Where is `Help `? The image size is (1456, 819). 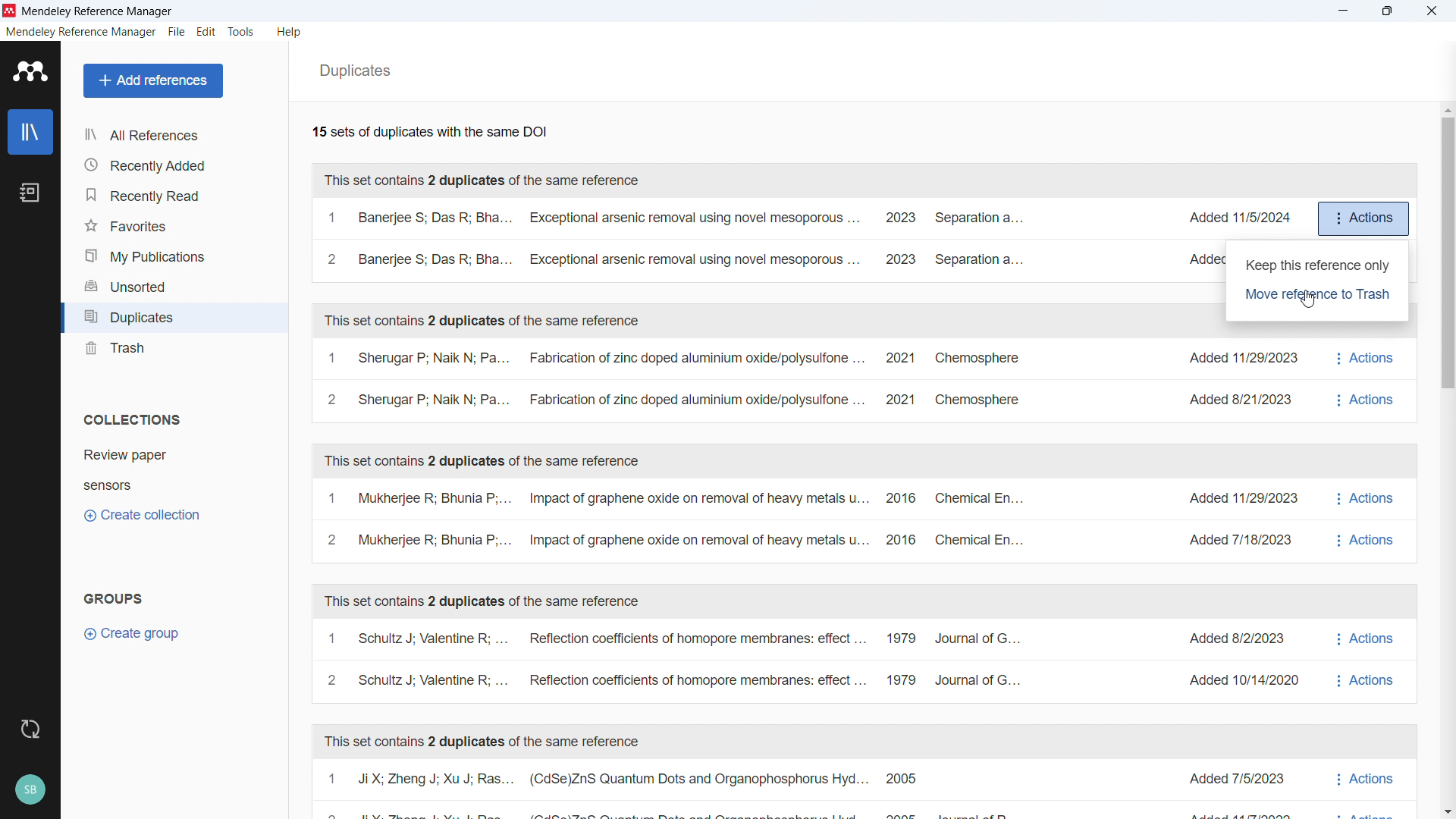 Help  is located at coordinates (290, 33).